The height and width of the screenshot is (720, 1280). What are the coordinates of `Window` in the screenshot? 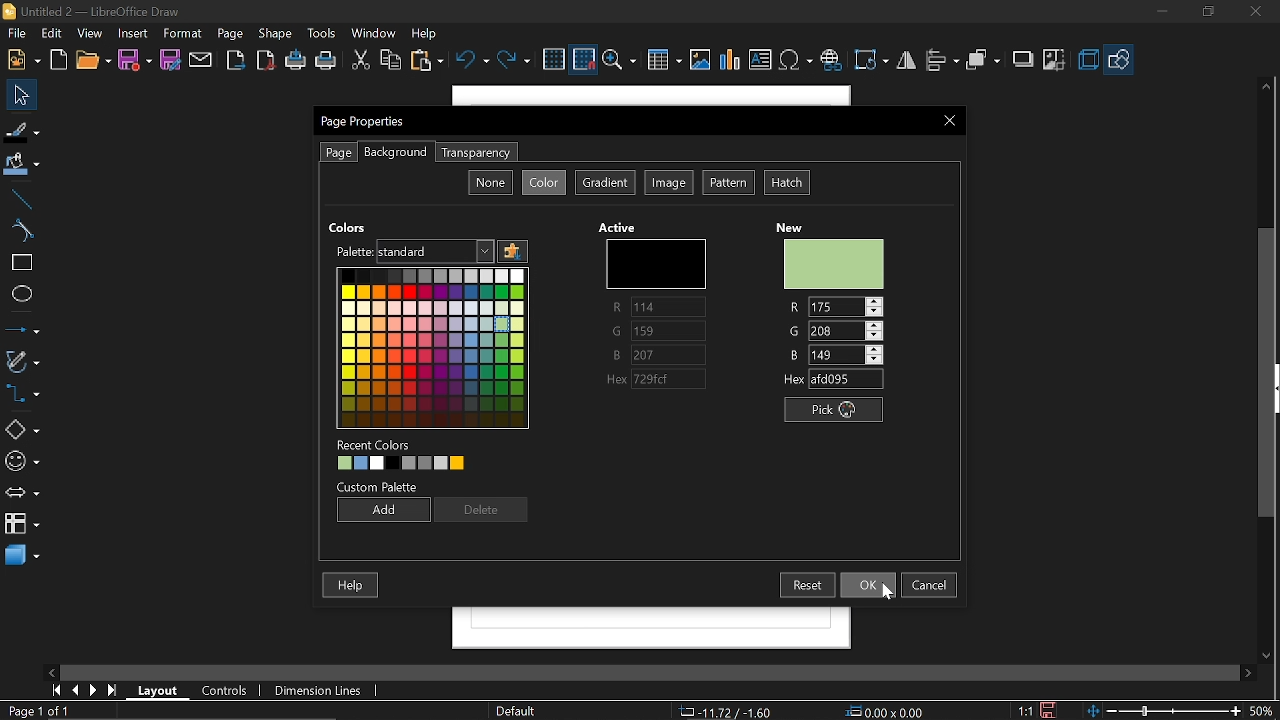 It's located at (374, 35).